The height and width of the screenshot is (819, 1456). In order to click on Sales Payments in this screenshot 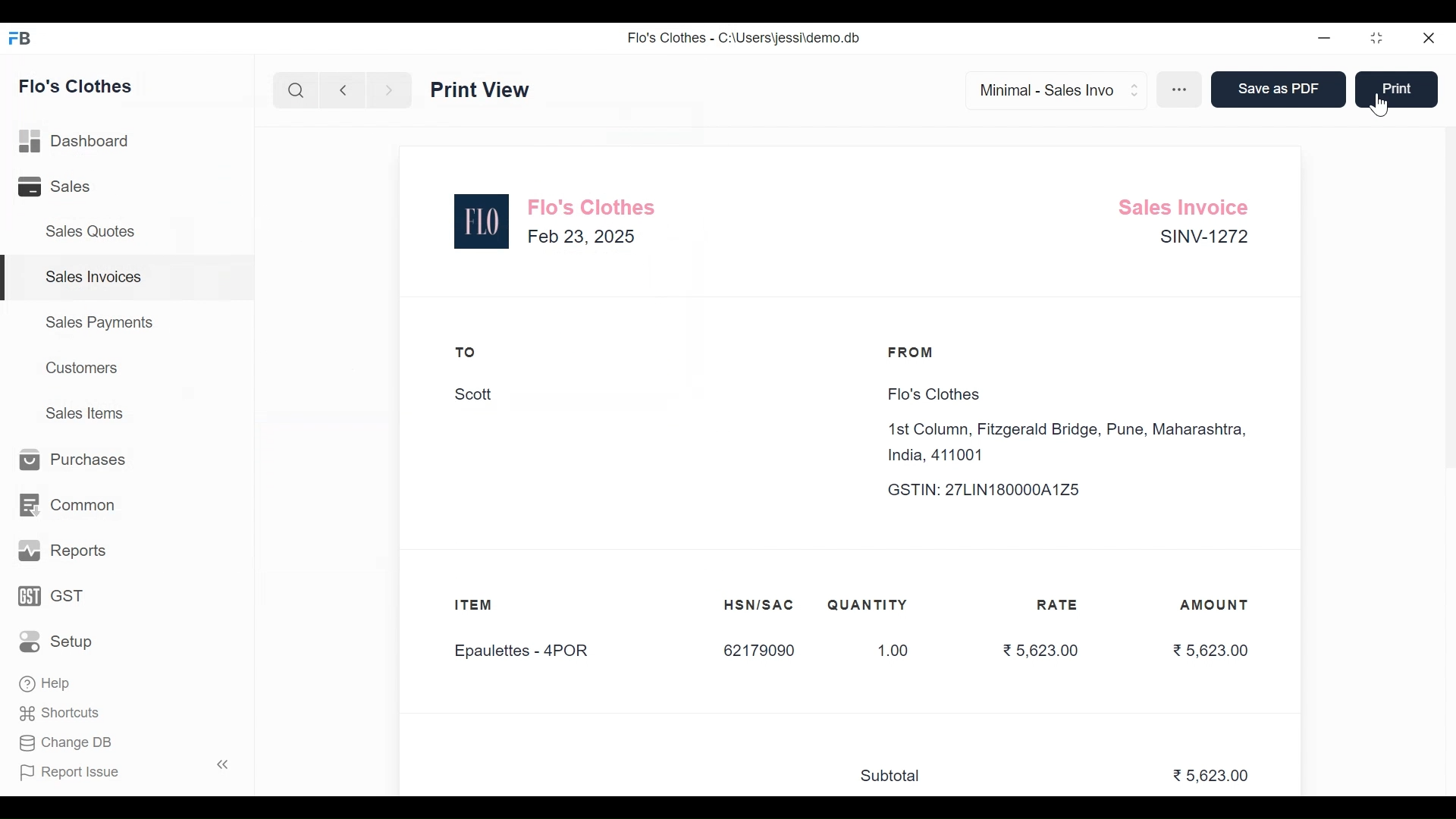, I will do `click(101, 322)`.